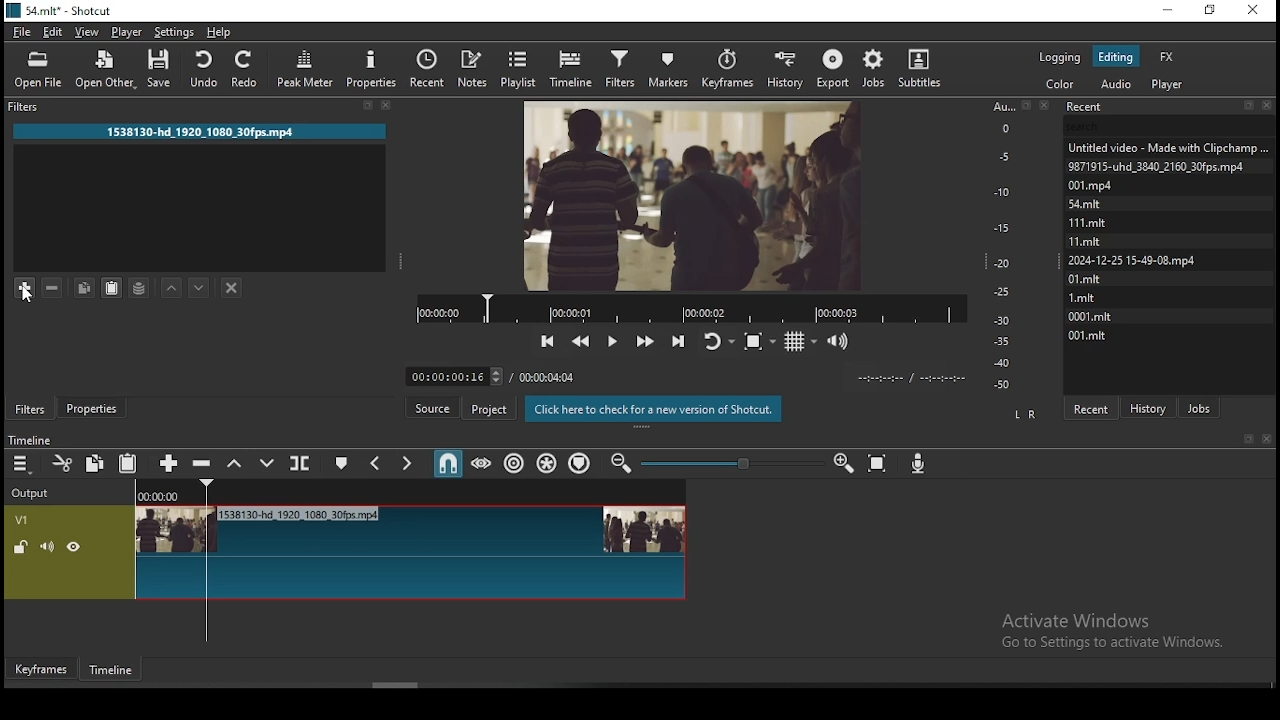  I want to click on export, so click(835, 67).